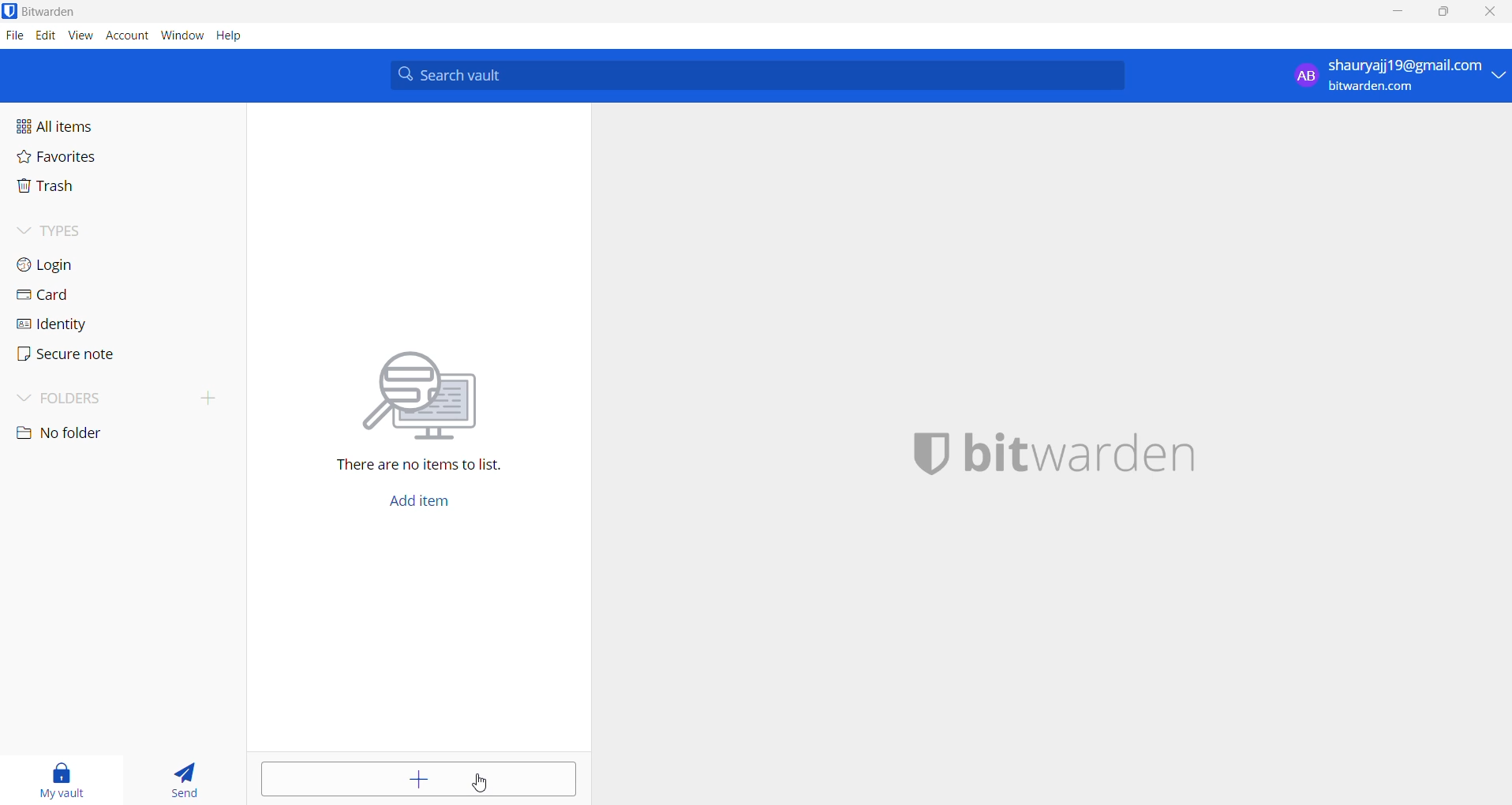 This screenshot has height=805, width=1512. Describe the element at coordinates (1400, 12) in the screenshot. I see `minimize` at that location.